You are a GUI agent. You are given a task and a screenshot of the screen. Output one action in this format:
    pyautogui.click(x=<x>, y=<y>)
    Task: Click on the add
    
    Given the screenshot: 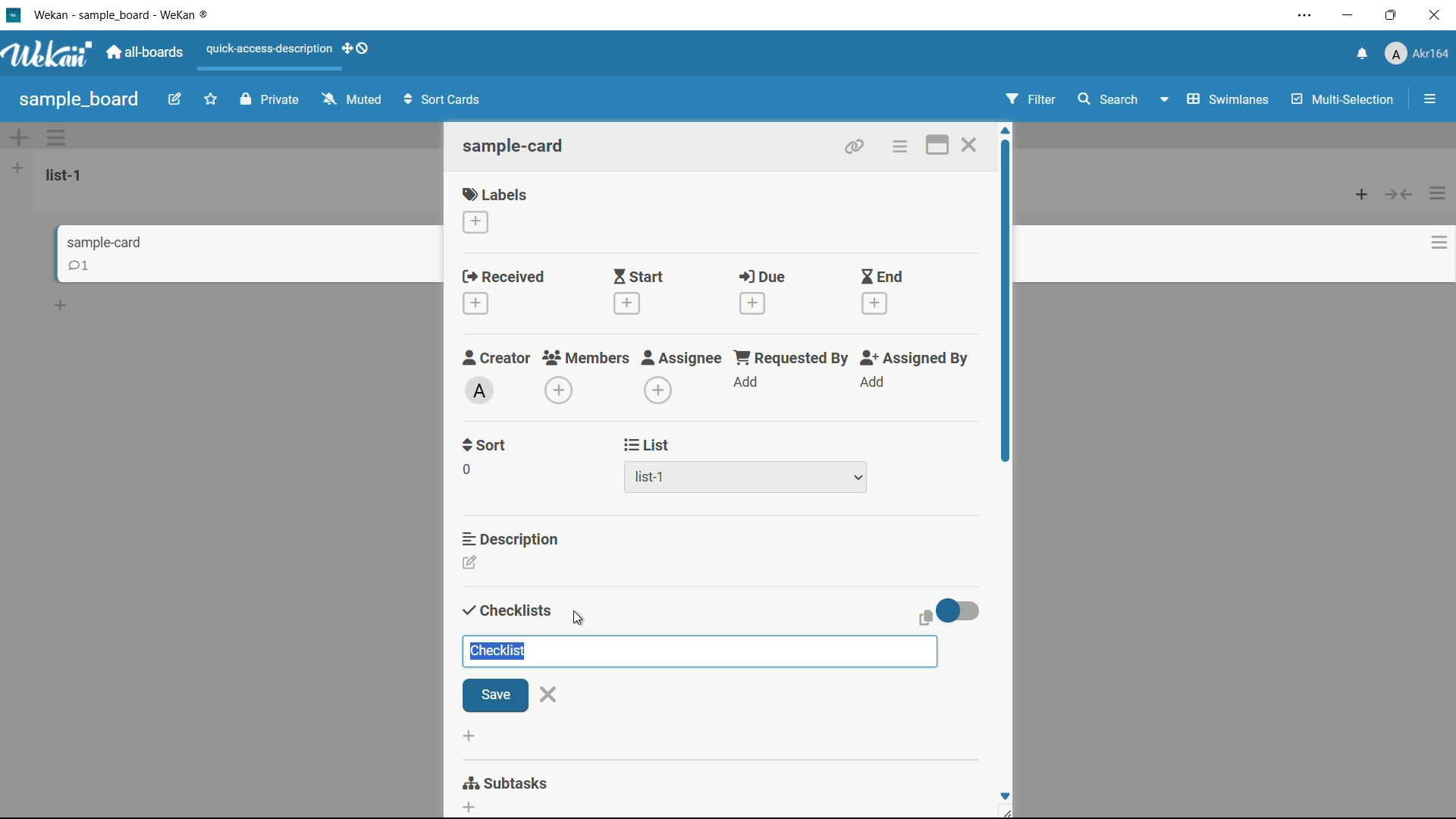 What is the action you would take?
    pyautogui.click(x=1357, y=196)
    